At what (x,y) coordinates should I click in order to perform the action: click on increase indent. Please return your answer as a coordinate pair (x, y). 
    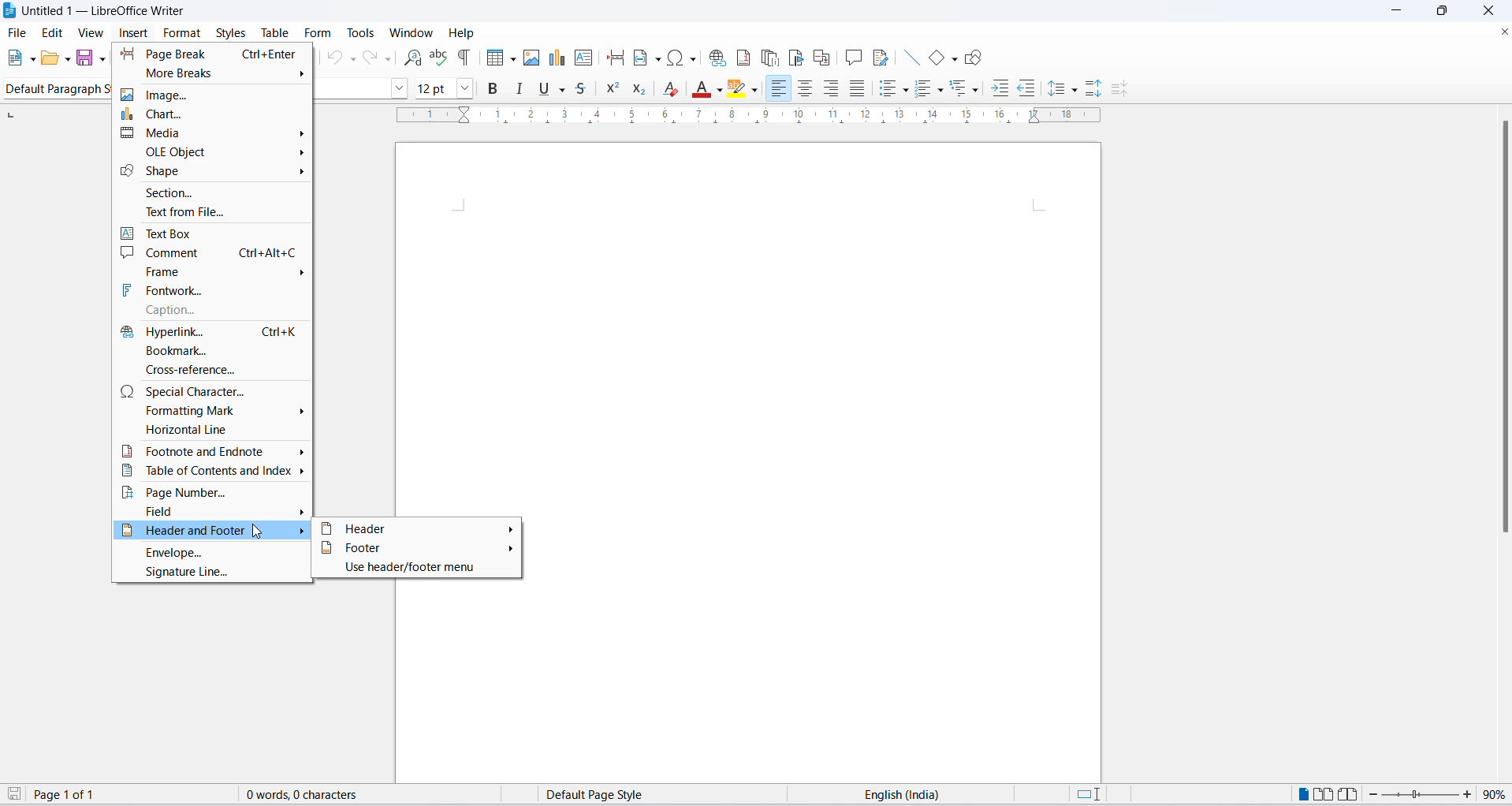
    Looking at the image, I should click on (1000, 90).